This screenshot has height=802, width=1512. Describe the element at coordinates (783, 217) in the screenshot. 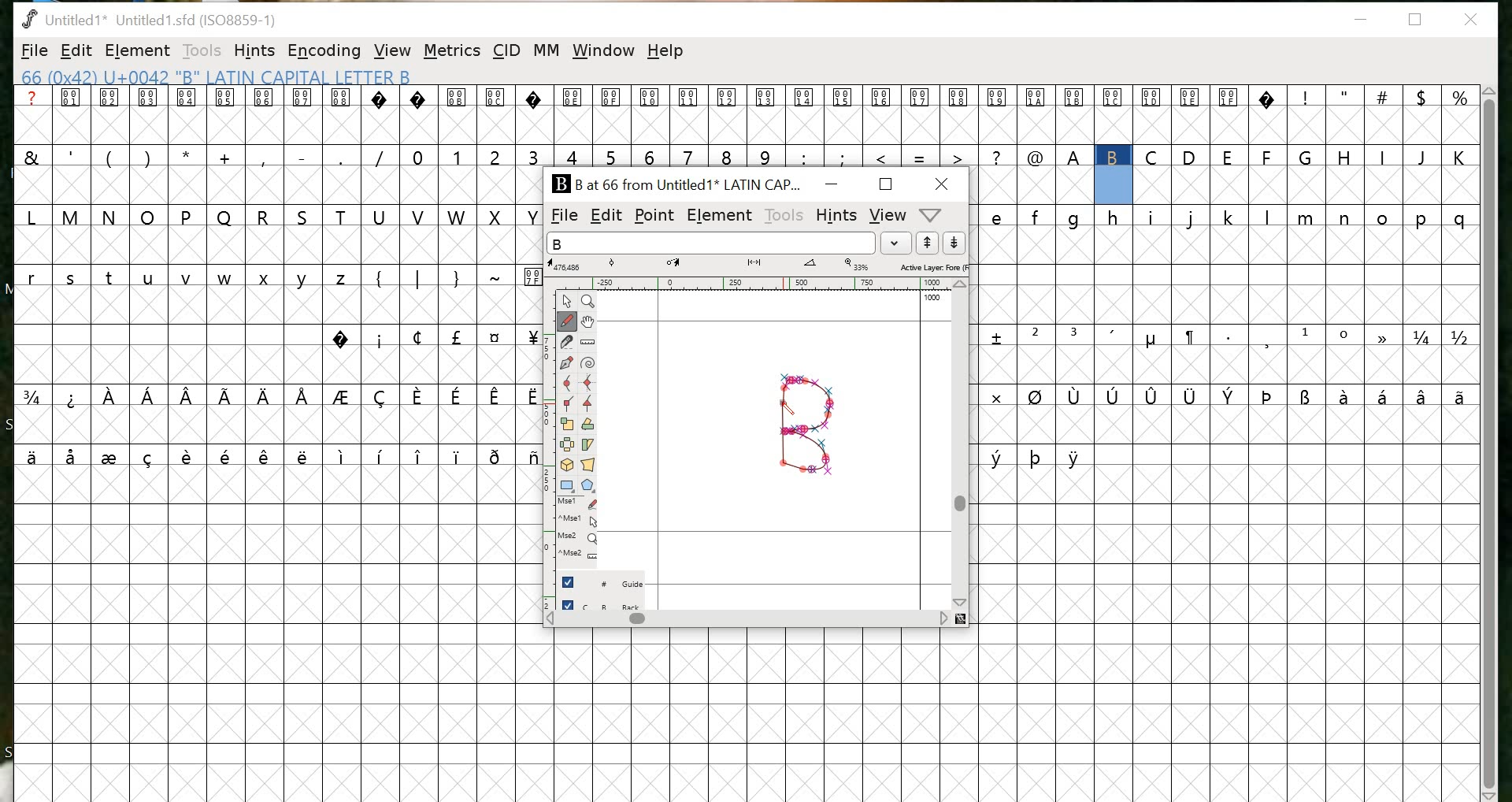

I see `TOOLS` at that location.